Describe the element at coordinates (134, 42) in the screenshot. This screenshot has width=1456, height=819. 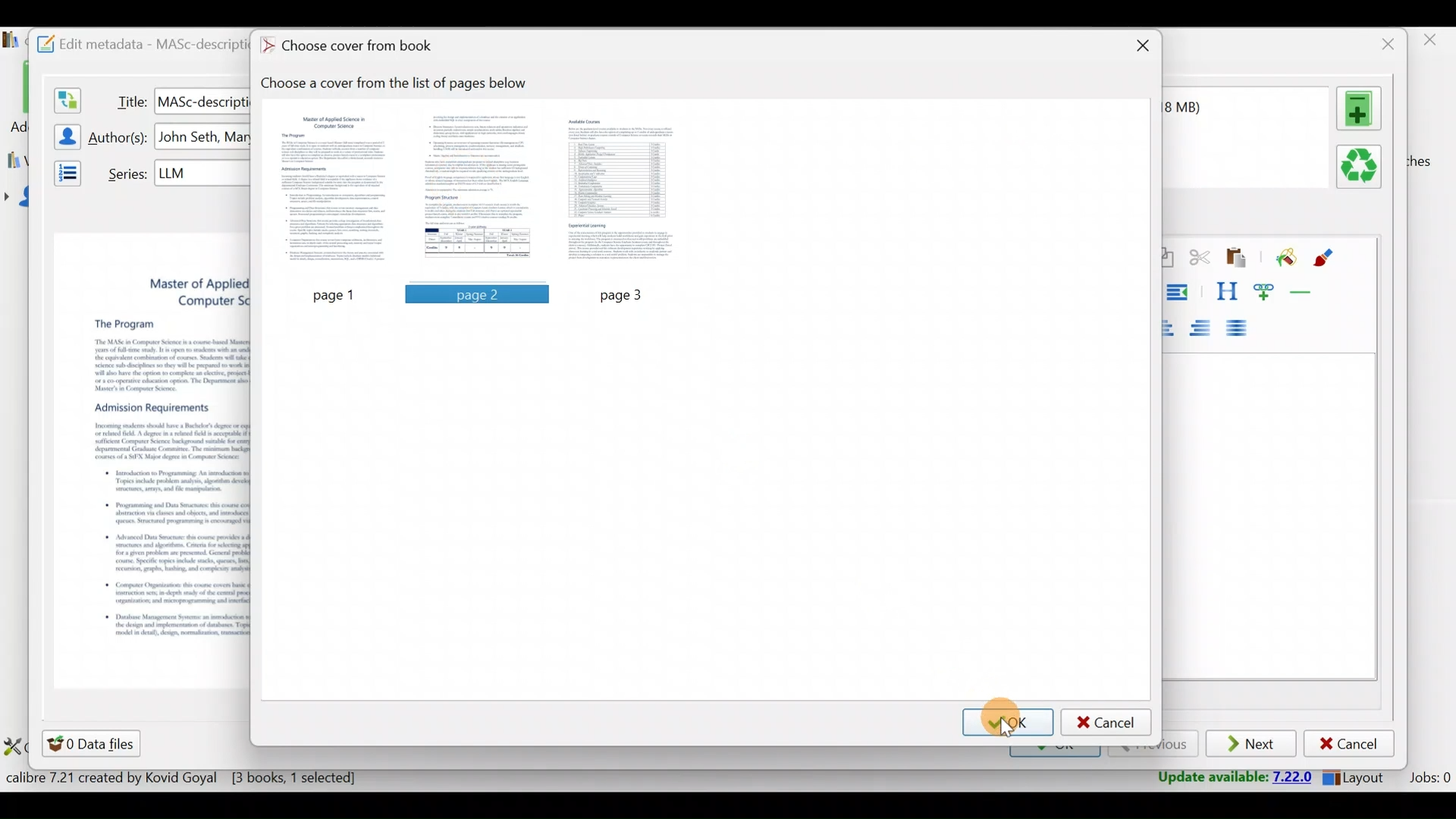
I see `Edit metadata` at that location.